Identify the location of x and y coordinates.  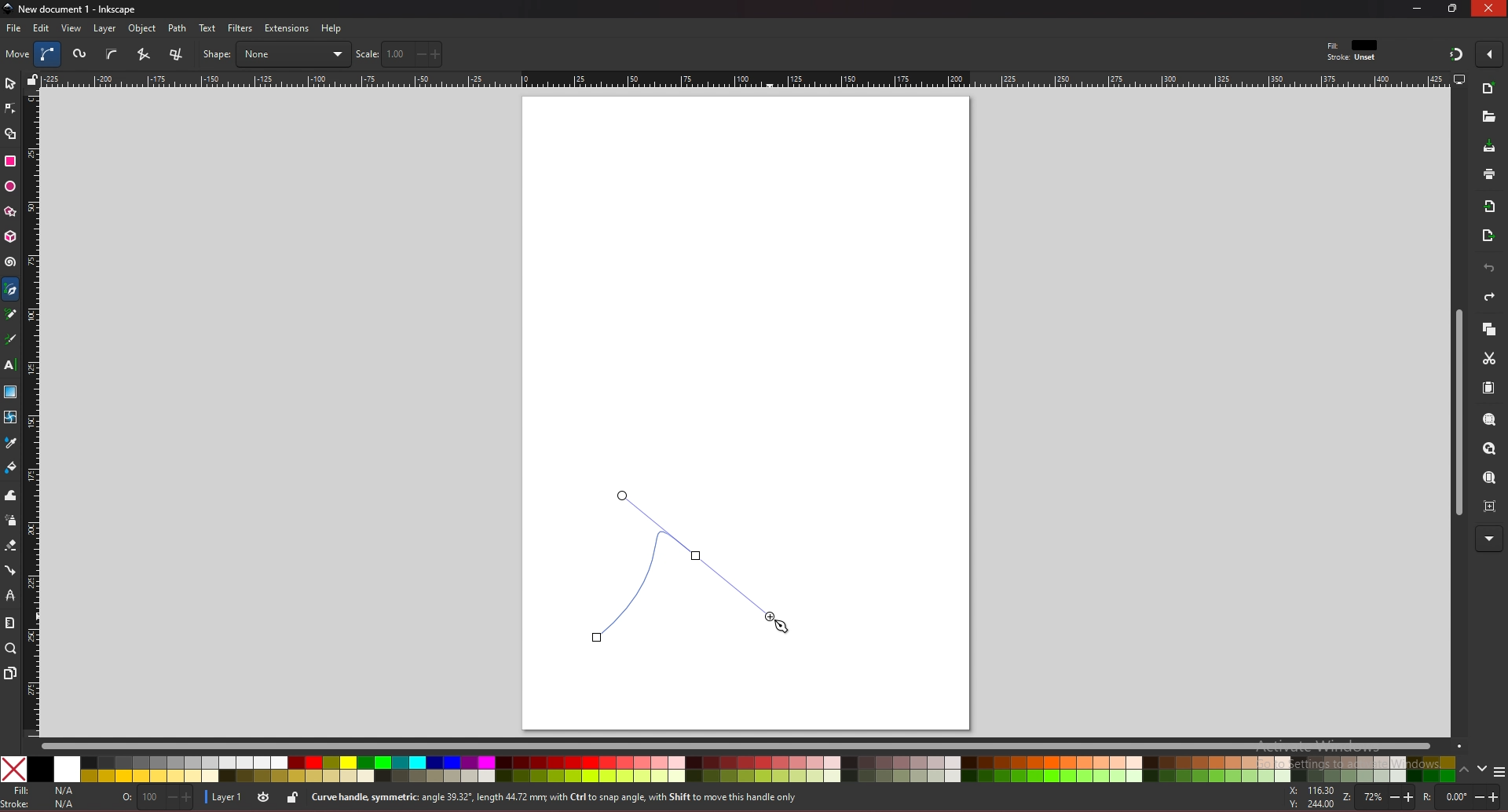
(1310, 797).